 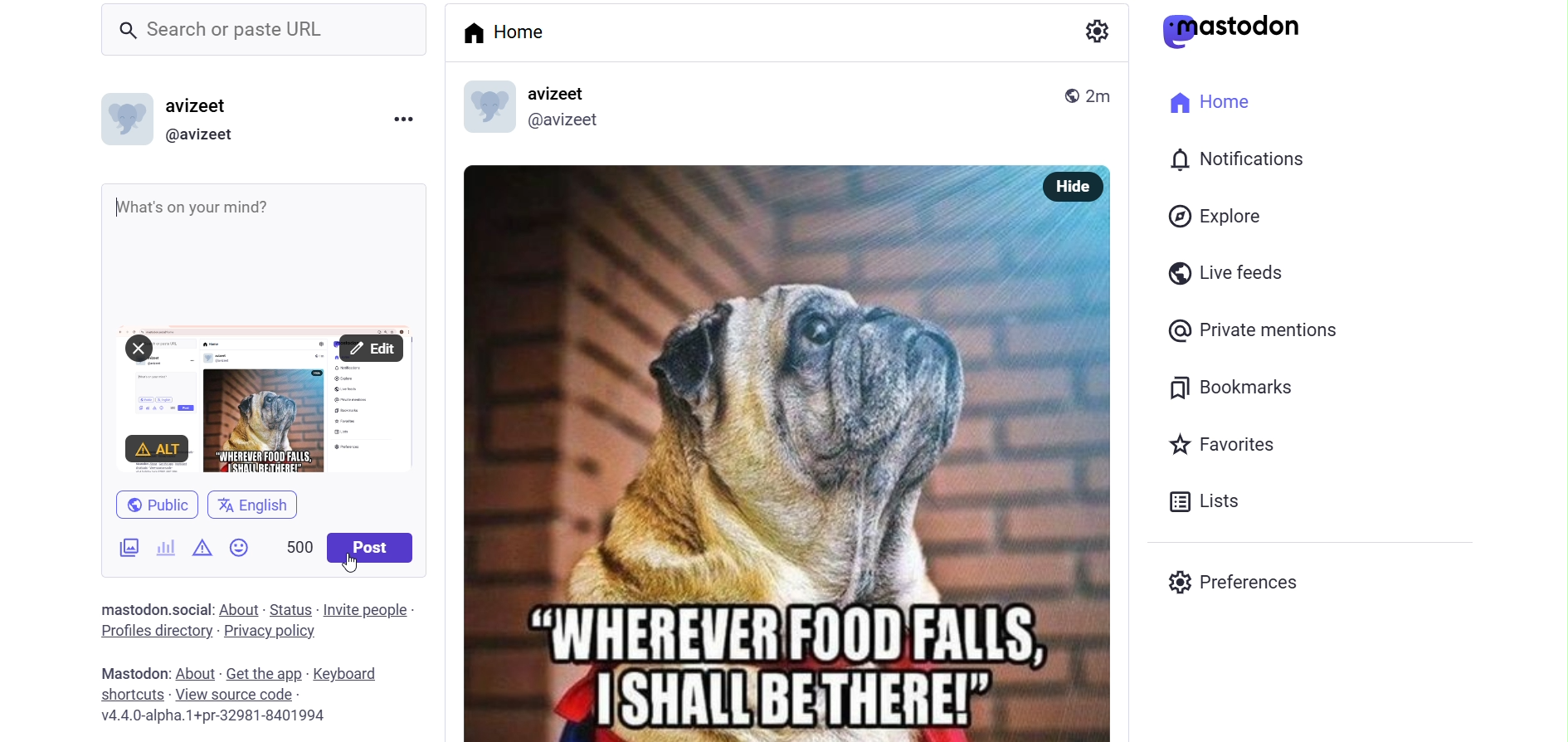 What do you see at coordinates (243, 544) in the screenshot?
I see `emoji` at bounding box center [243, 544].